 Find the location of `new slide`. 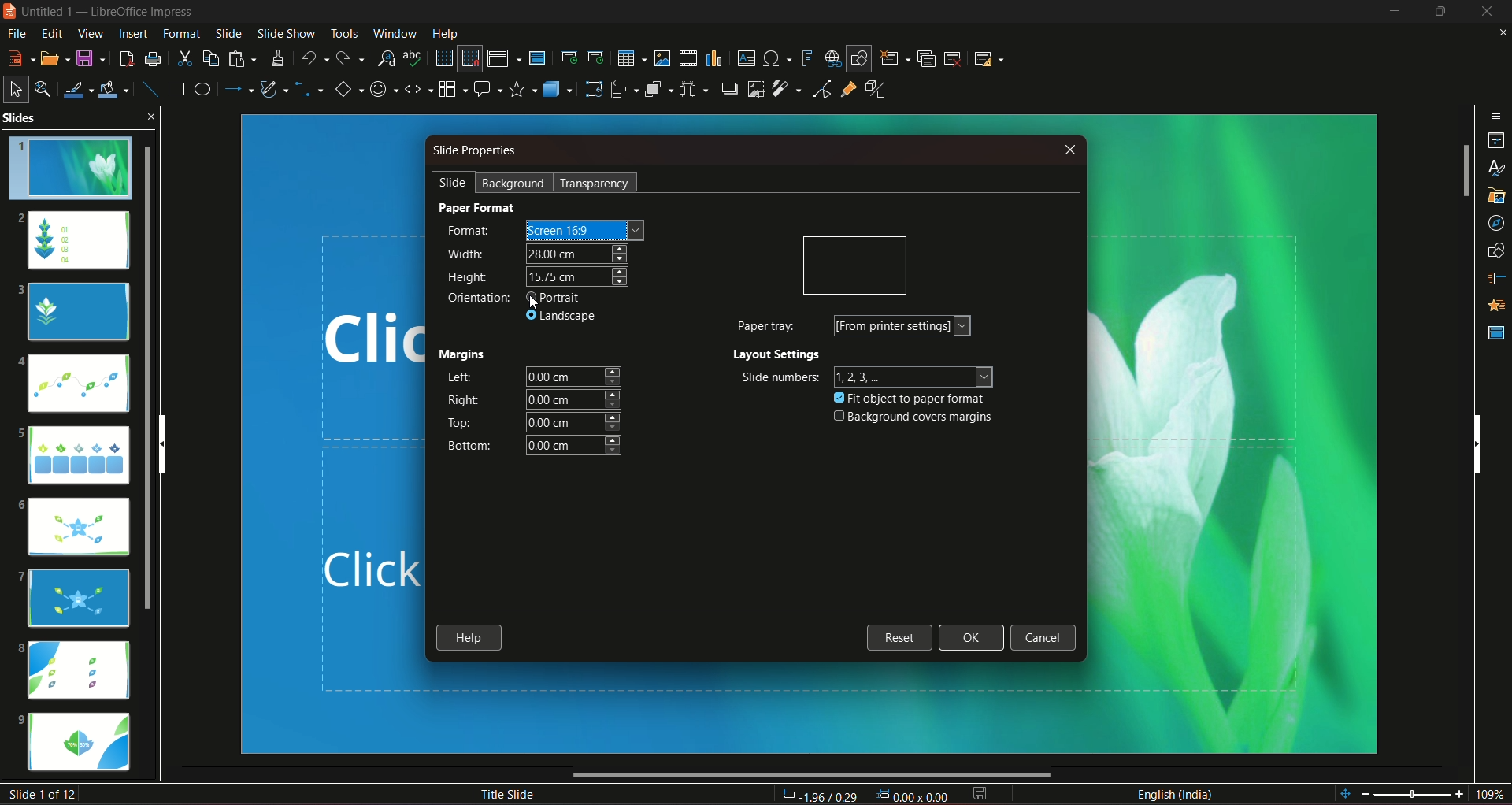

new slide is located at coordinates (895, 57).